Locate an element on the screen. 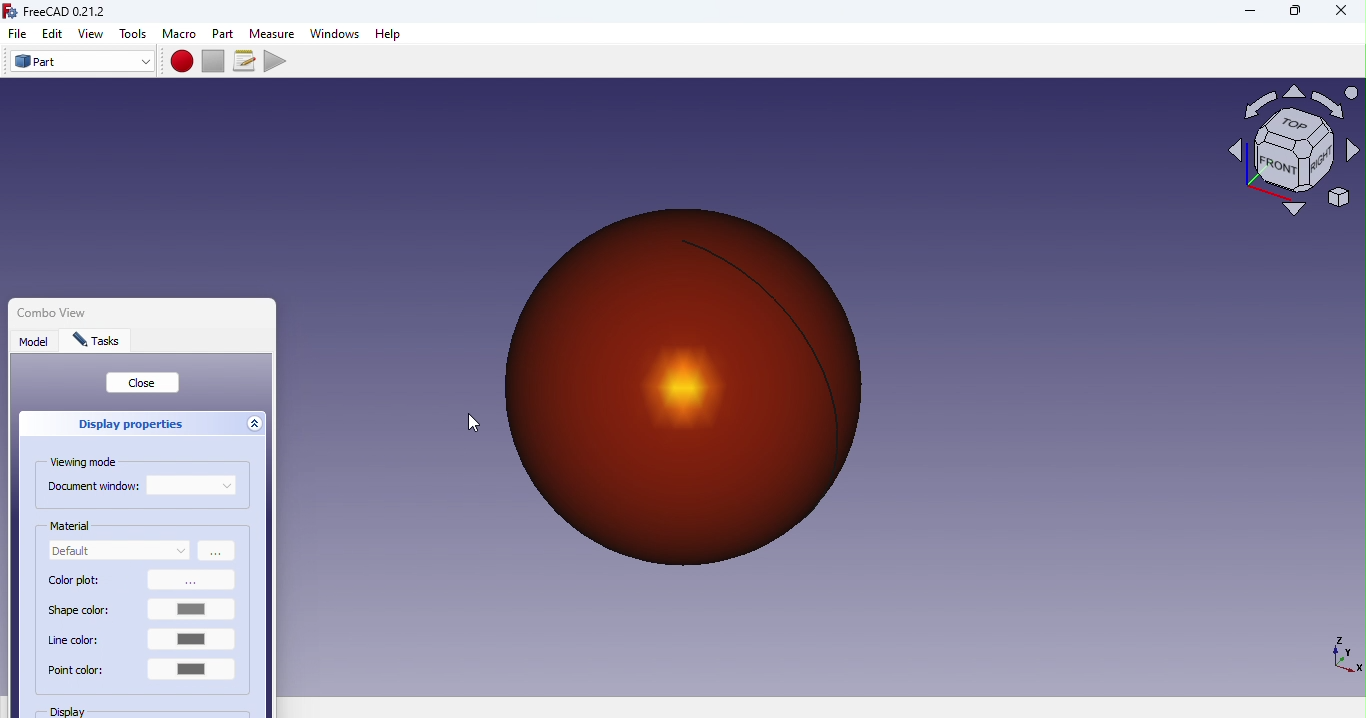 This screenshot has width=1366, height=718. Document window is located at coordinates (93, 488).